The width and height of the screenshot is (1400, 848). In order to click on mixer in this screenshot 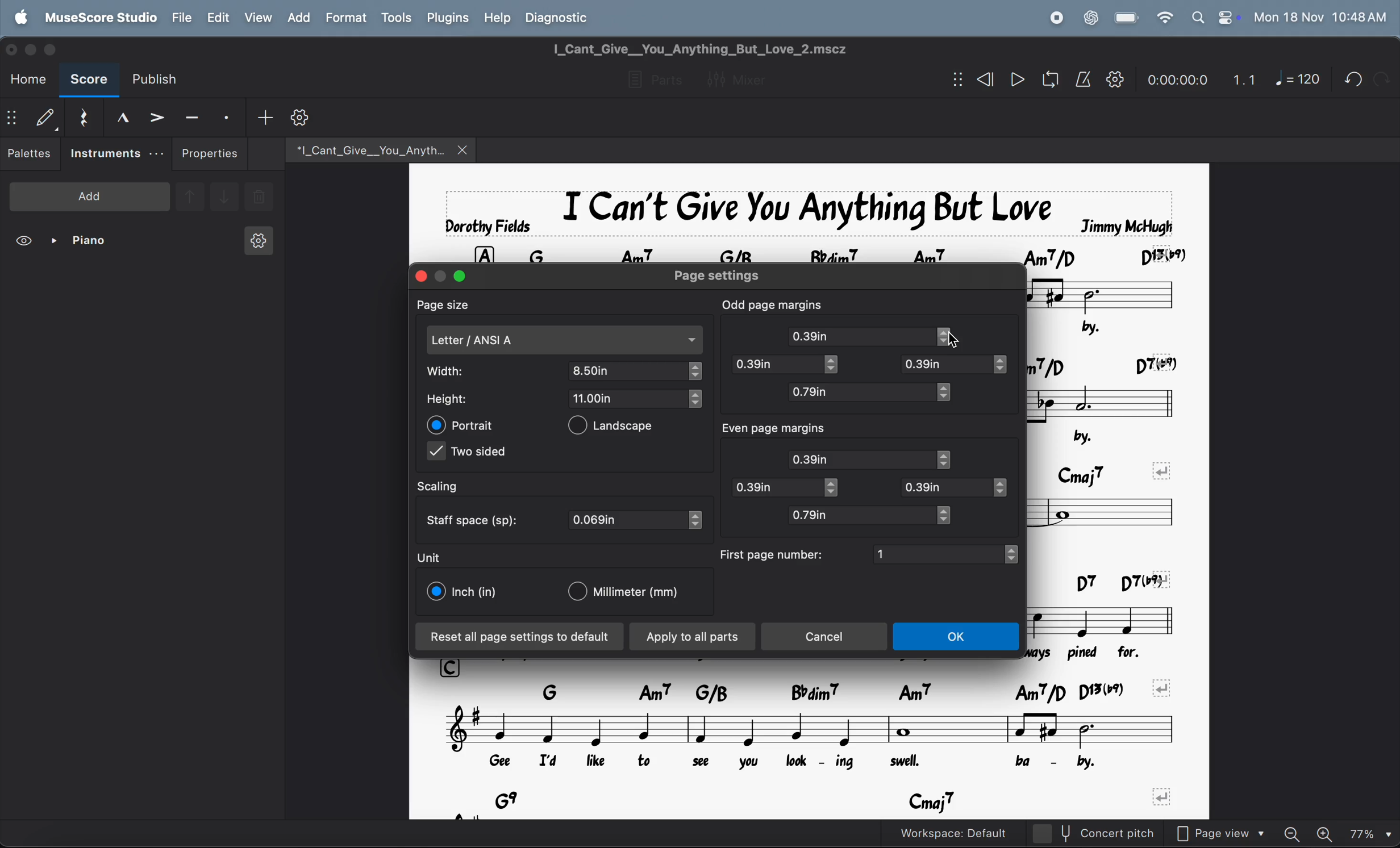, I will do `click(745, 78)`.